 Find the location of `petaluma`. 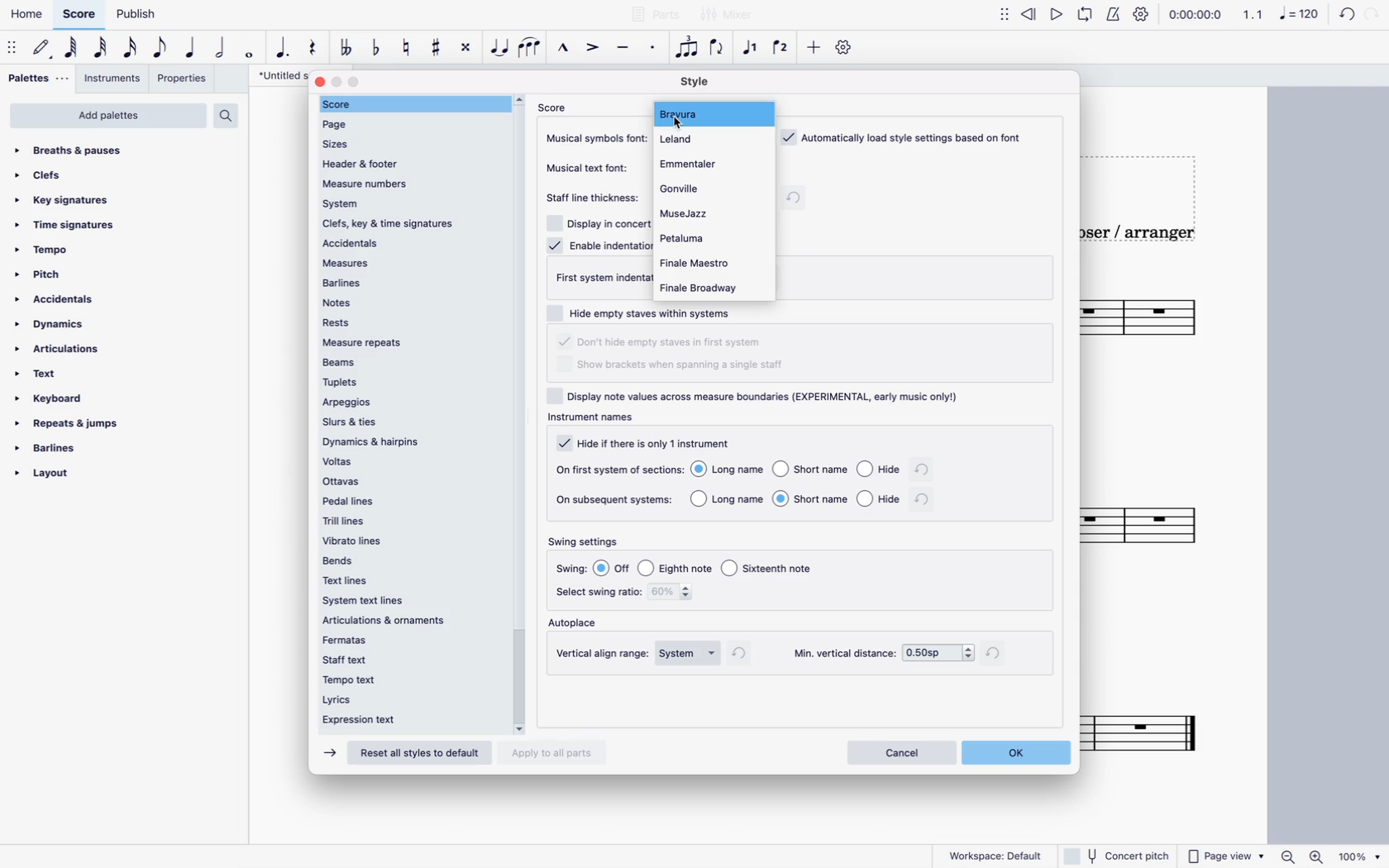

petaluma is located at coordinates (698, 237).